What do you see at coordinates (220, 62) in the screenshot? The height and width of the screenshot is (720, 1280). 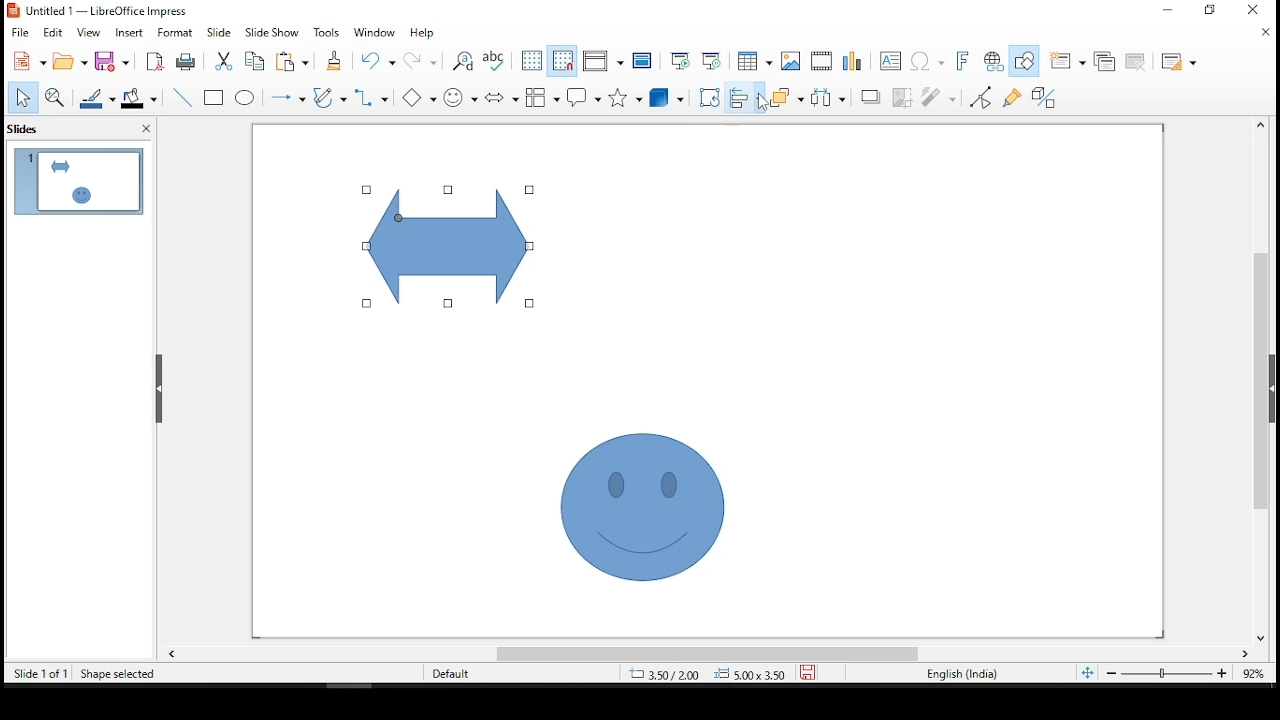 I see `cut` at bounding box center [220, 62].